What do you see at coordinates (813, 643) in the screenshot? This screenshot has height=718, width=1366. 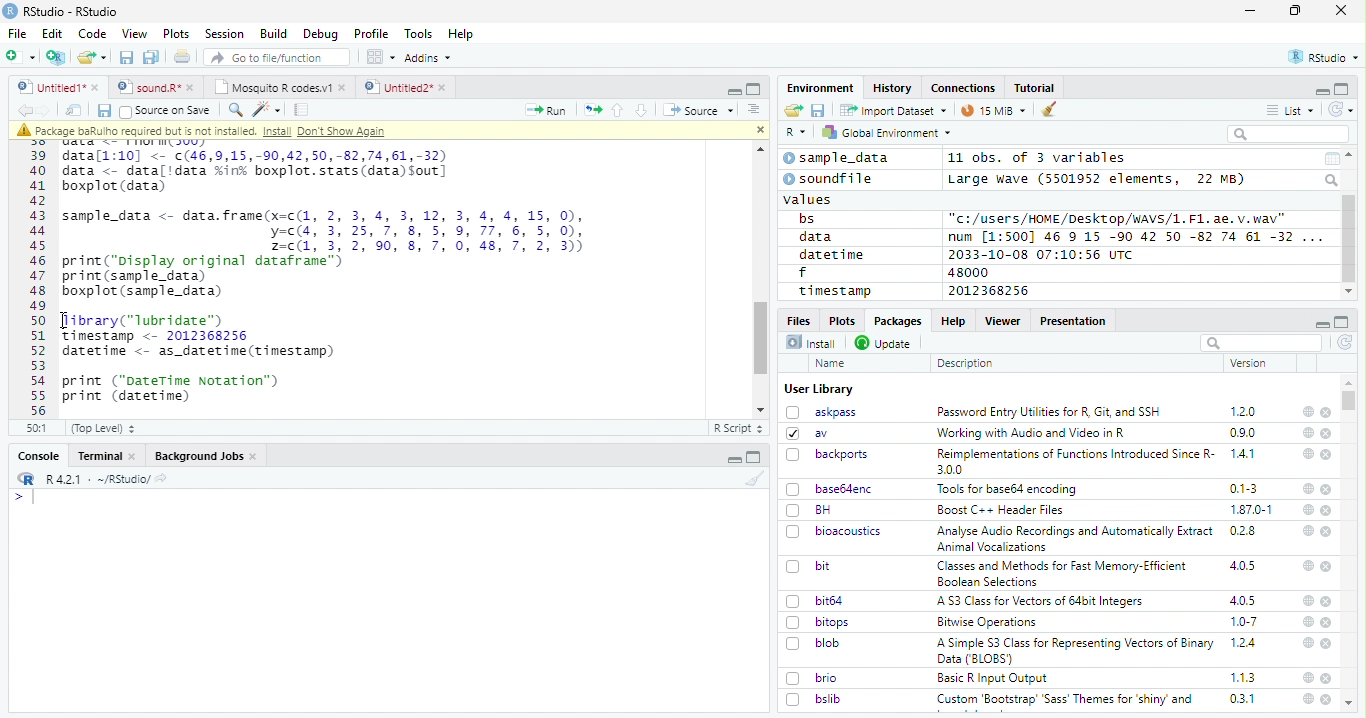 I see `blob` at bounding box center [813, 643].